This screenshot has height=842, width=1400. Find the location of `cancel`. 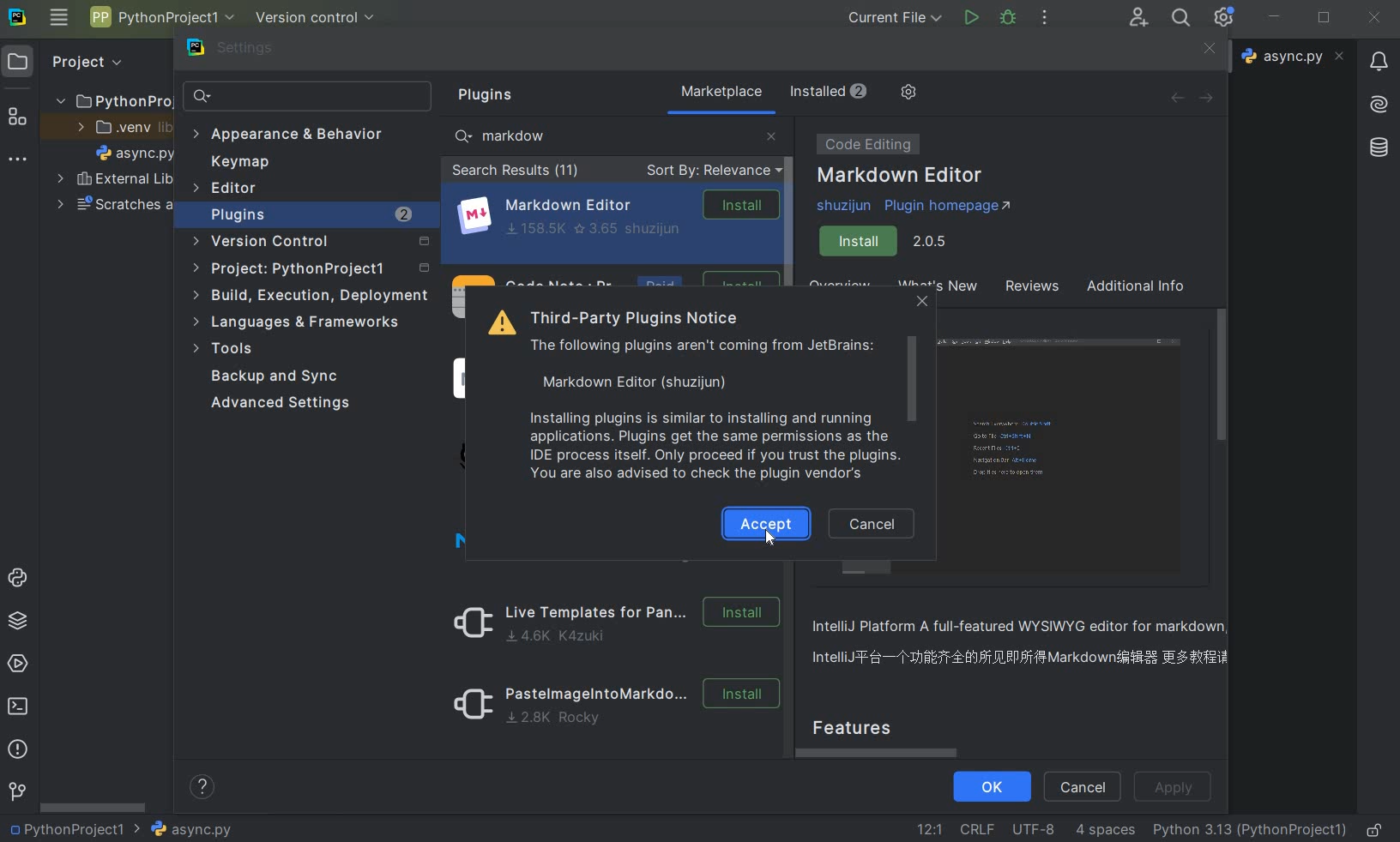

cancel is located at coordinates (874, 525).